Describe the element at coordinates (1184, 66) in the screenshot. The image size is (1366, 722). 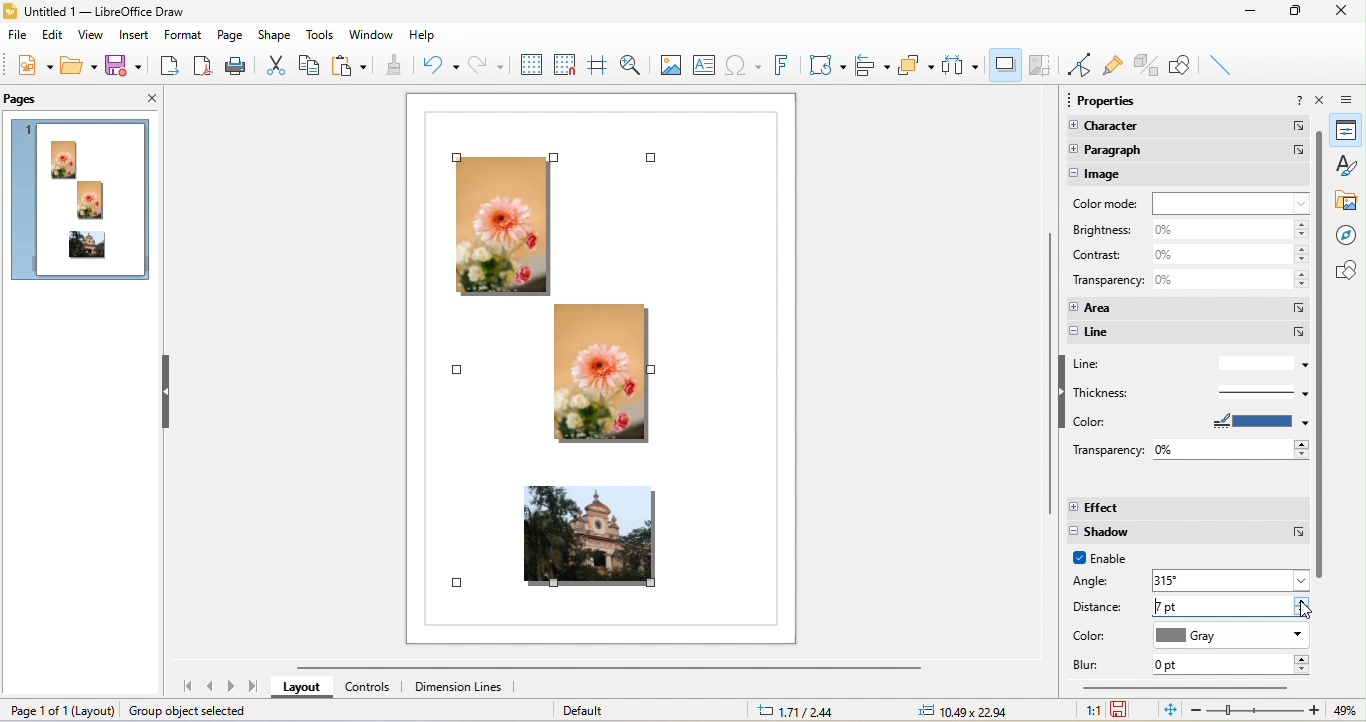
I see `show draw function` at that location.